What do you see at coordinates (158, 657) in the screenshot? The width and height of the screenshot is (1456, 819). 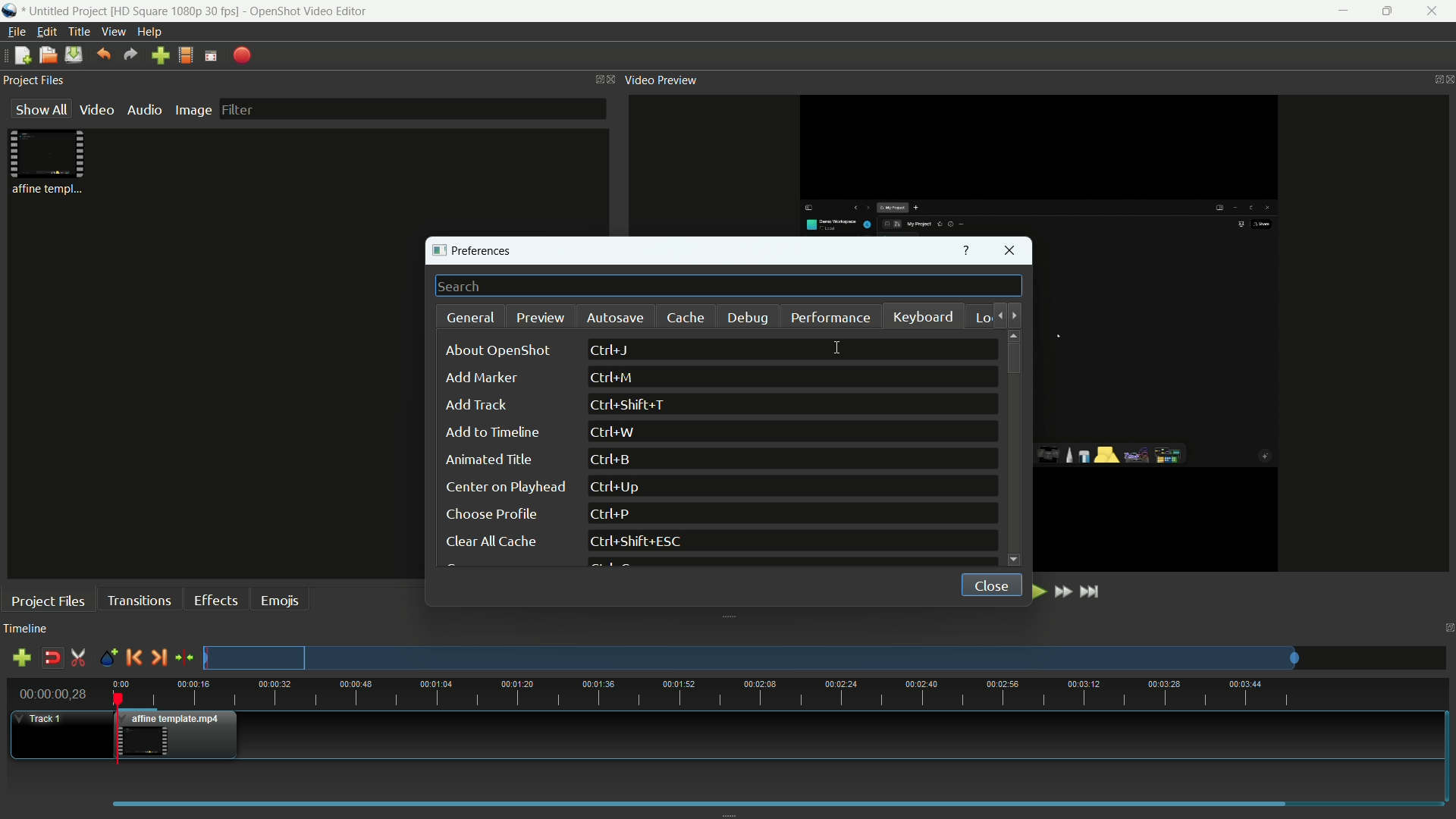 I see `next marker` at bounding box center [158, 657].